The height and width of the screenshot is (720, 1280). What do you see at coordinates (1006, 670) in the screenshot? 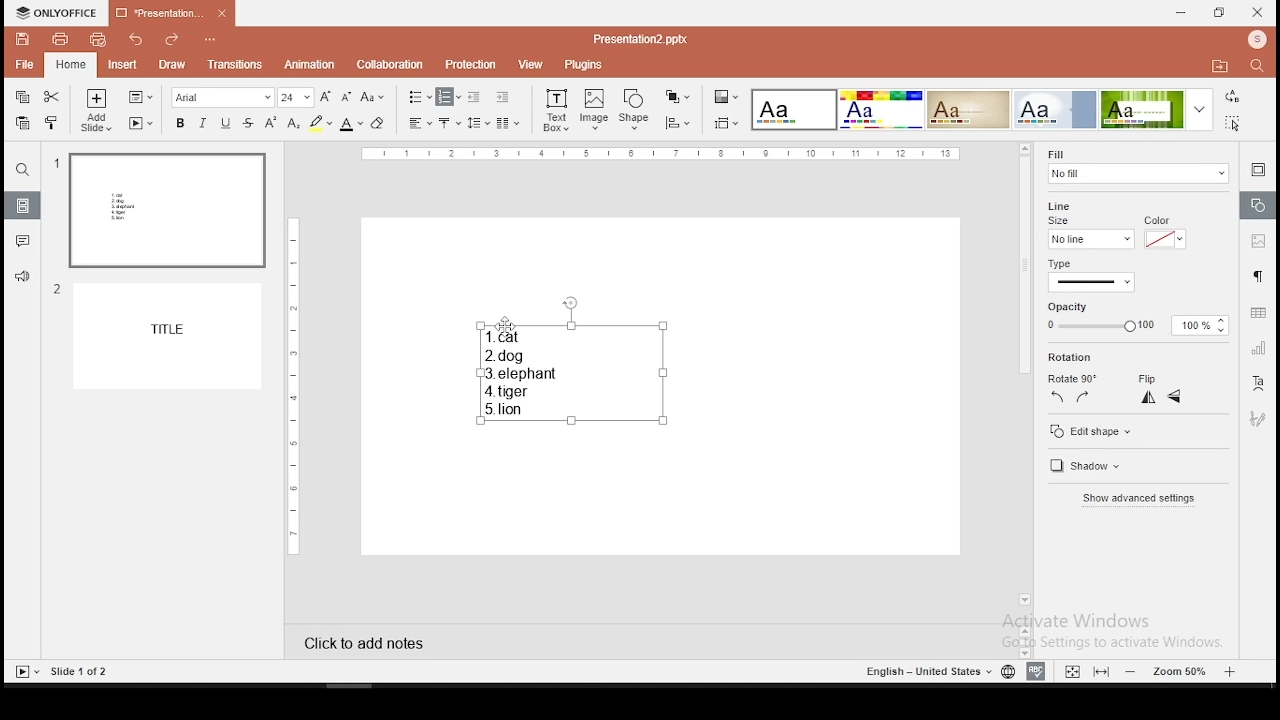
I see `language` at bounding box center [1006, 670].